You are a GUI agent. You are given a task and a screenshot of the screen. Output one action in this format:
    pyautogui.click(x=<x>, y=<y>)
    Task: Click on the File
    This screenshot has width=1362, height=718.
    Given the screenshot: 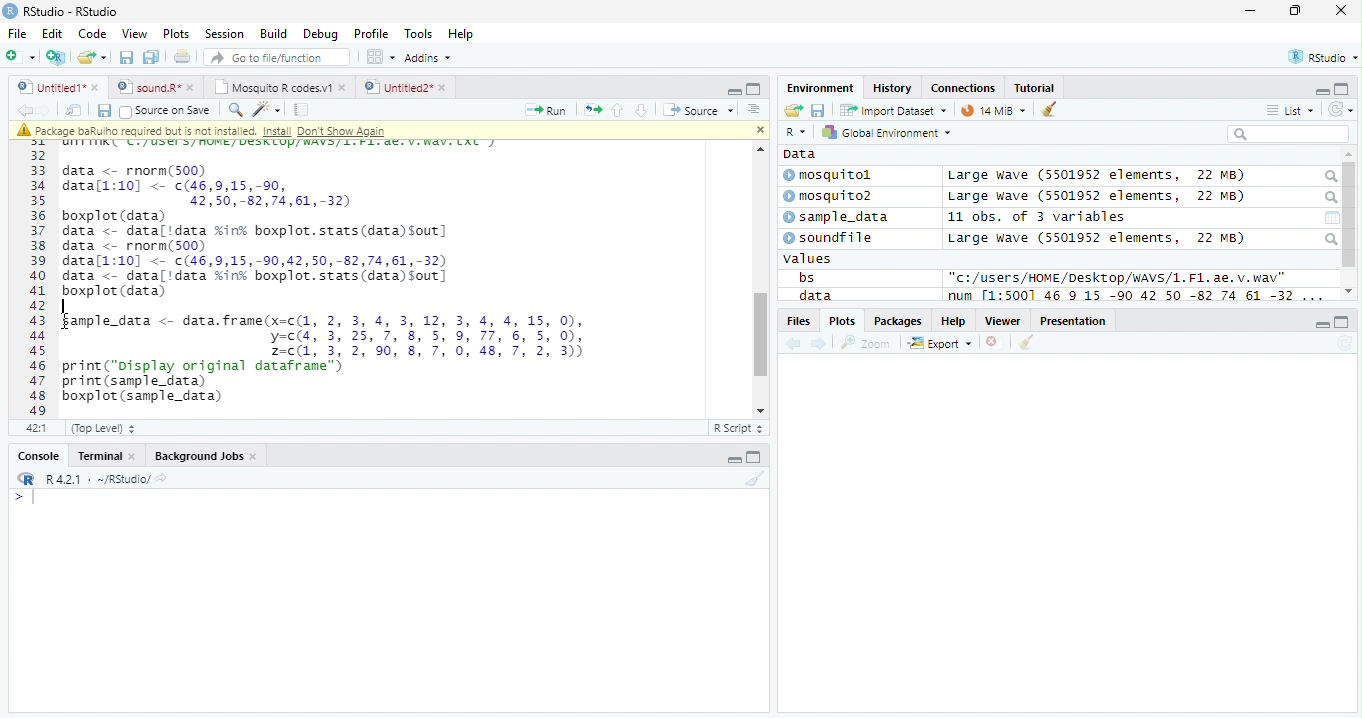 What is the action you would take?
    pyautogui.click(x=18, y=34)
    